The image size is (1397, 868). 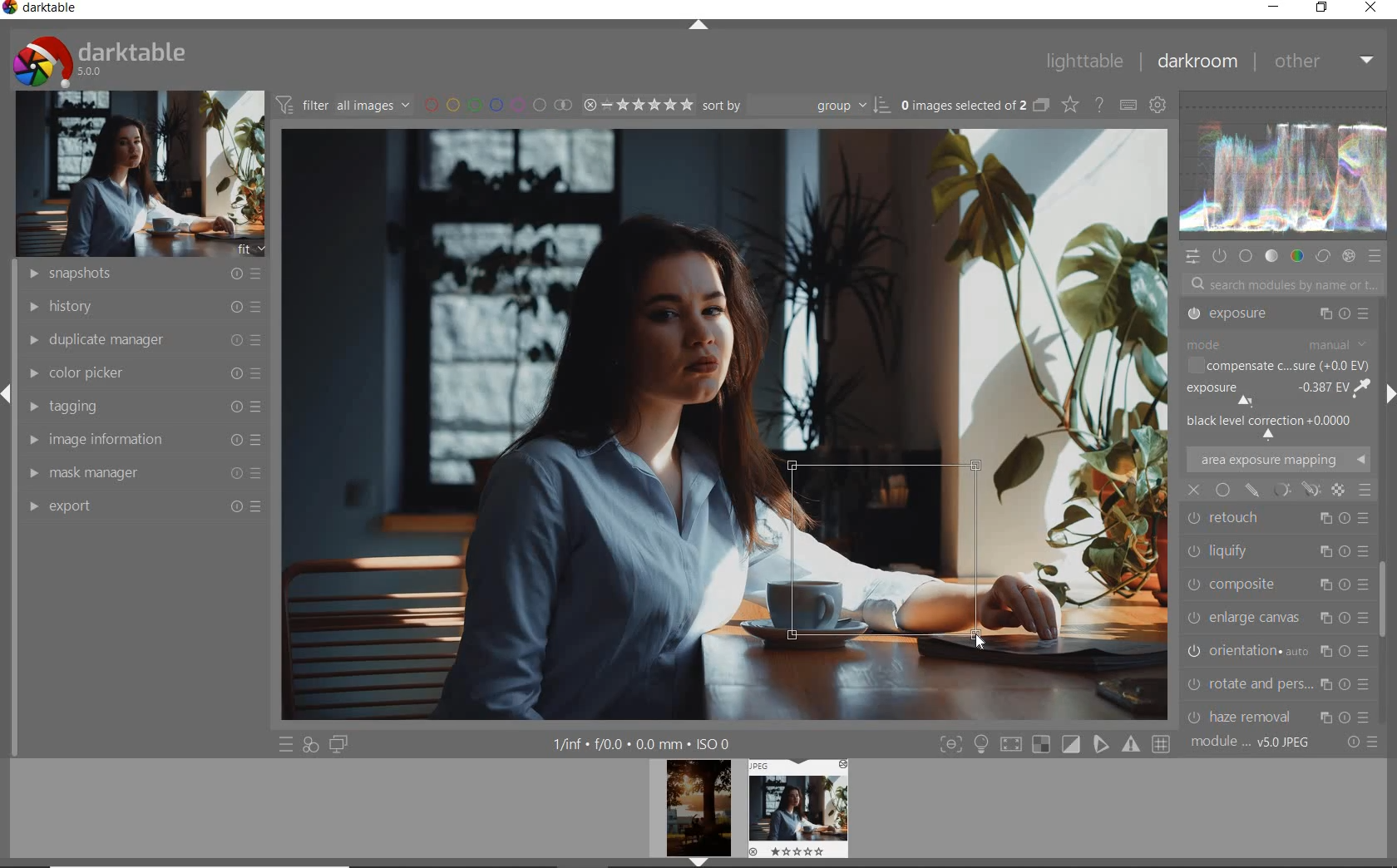 I want to click on RETOUCH, so click(x=1276, y=420).